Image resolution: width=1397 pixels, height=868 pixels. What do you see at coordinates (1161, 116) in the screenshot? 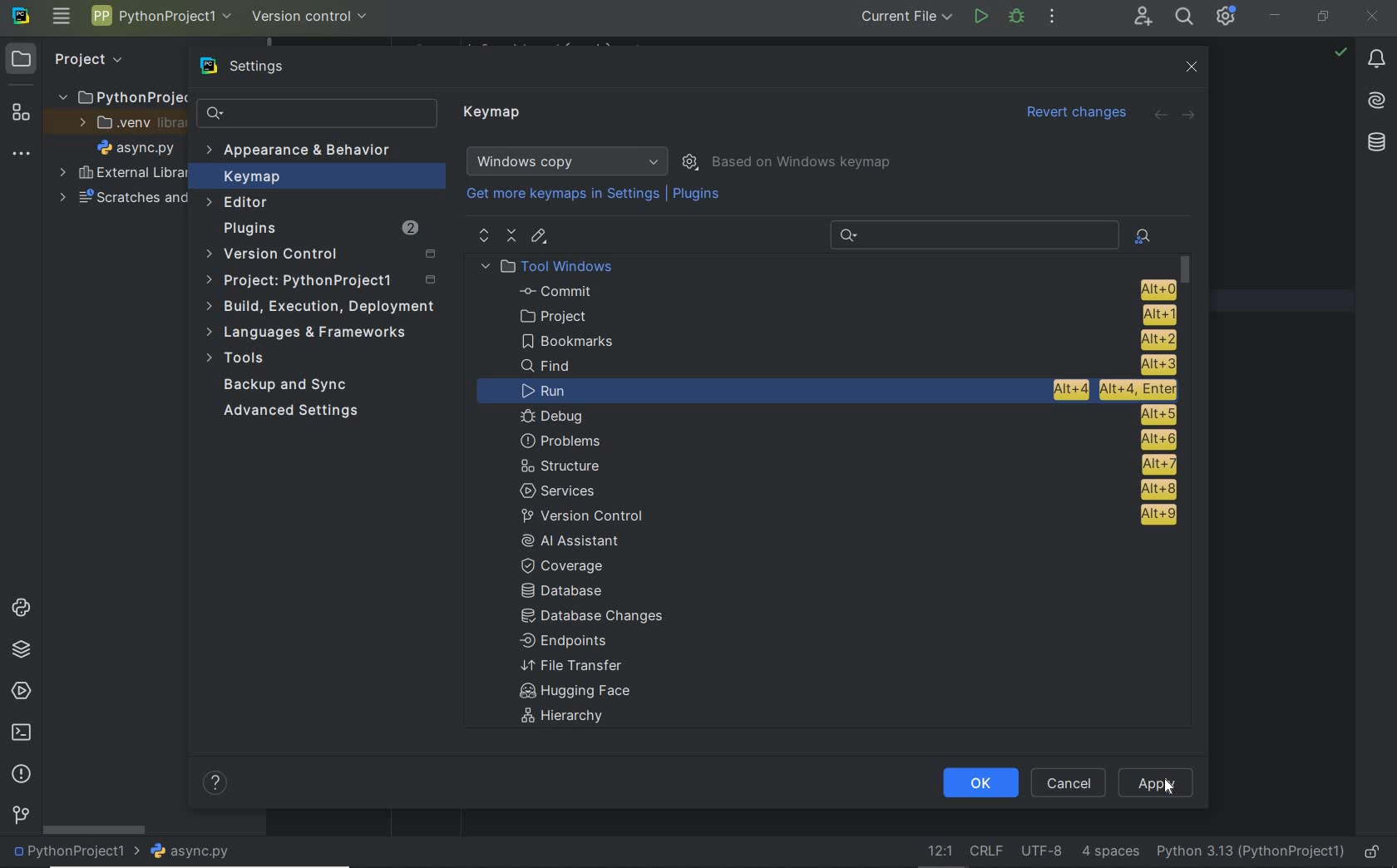
I see `back` at bounding box center [1161, 116].